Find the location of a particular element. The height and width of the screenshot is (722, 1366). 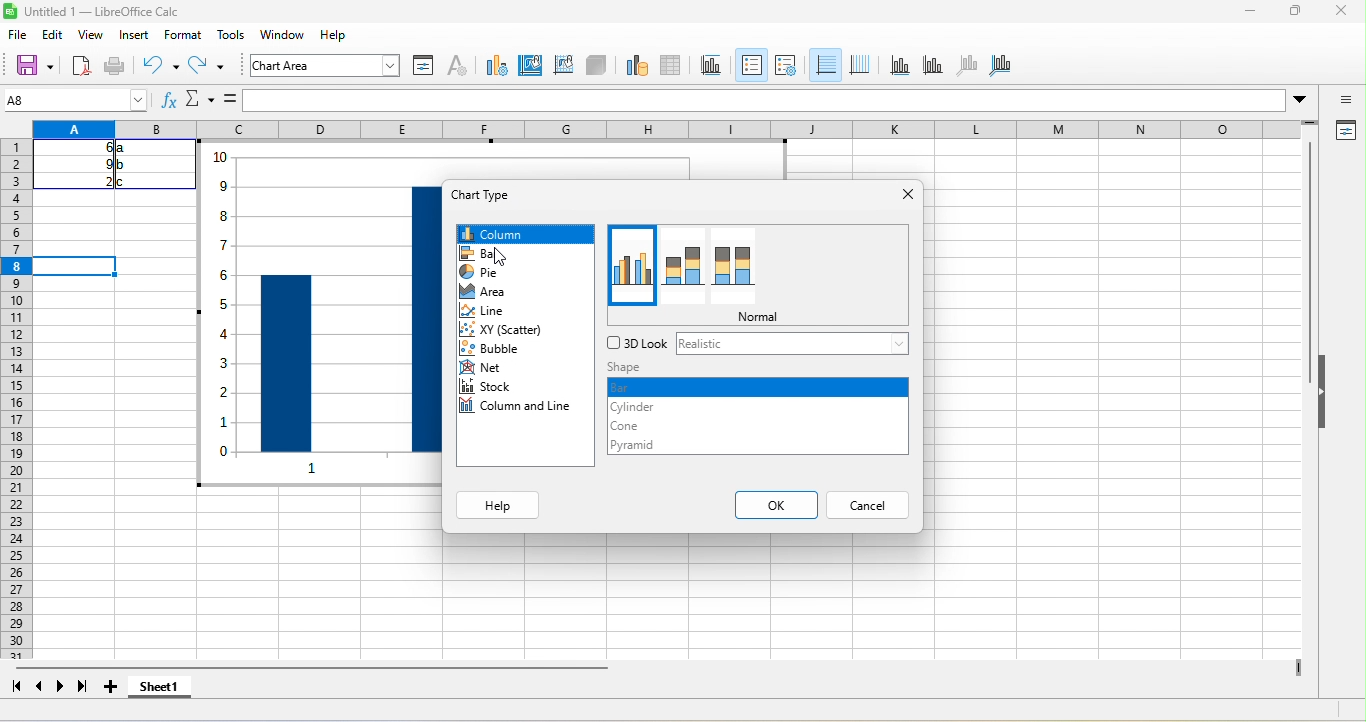

z axis is located at coordinates (964, 66).